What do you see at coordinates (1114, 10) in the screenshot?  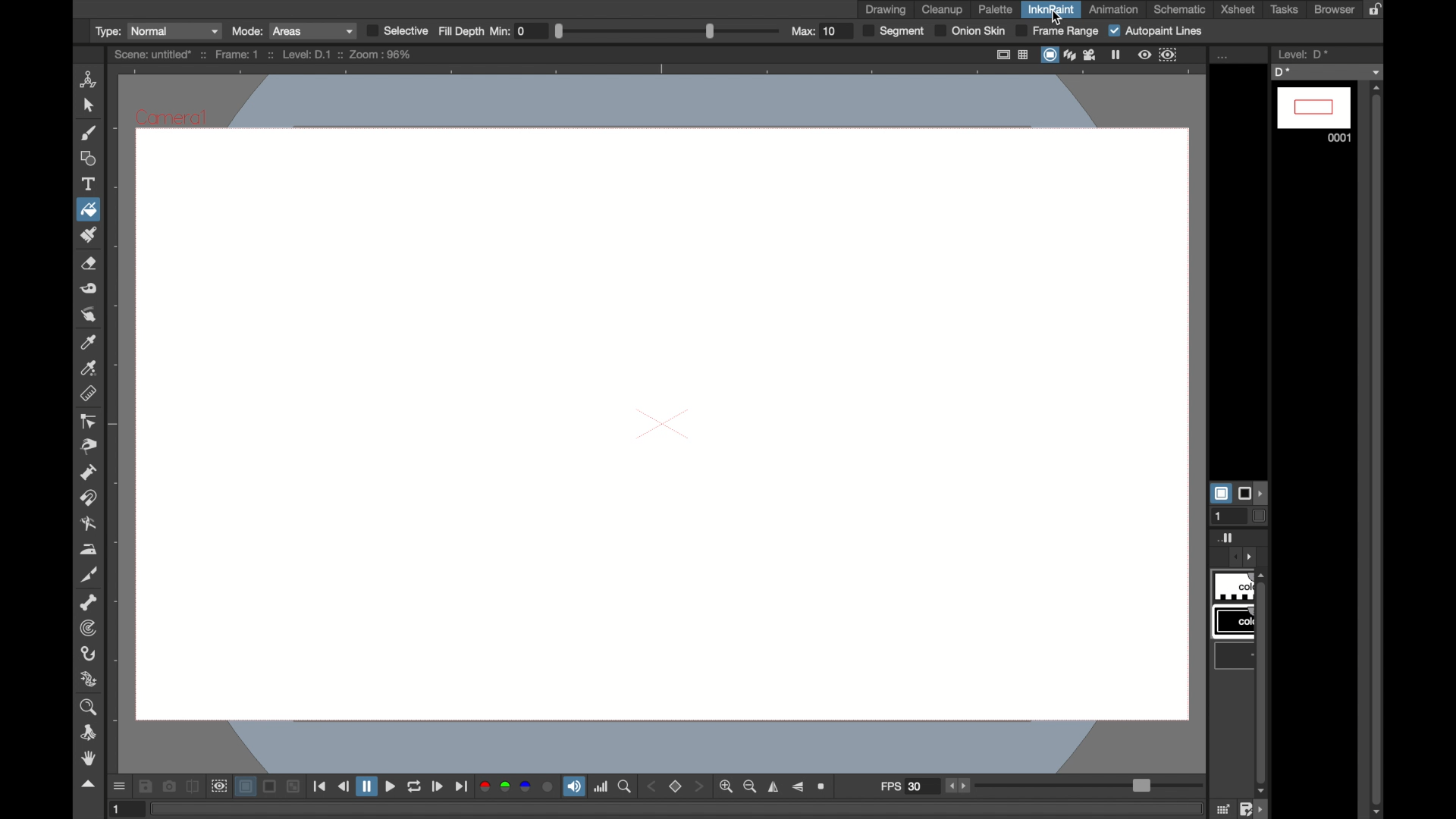 I see `animation` at bounding box center [1114, 10].